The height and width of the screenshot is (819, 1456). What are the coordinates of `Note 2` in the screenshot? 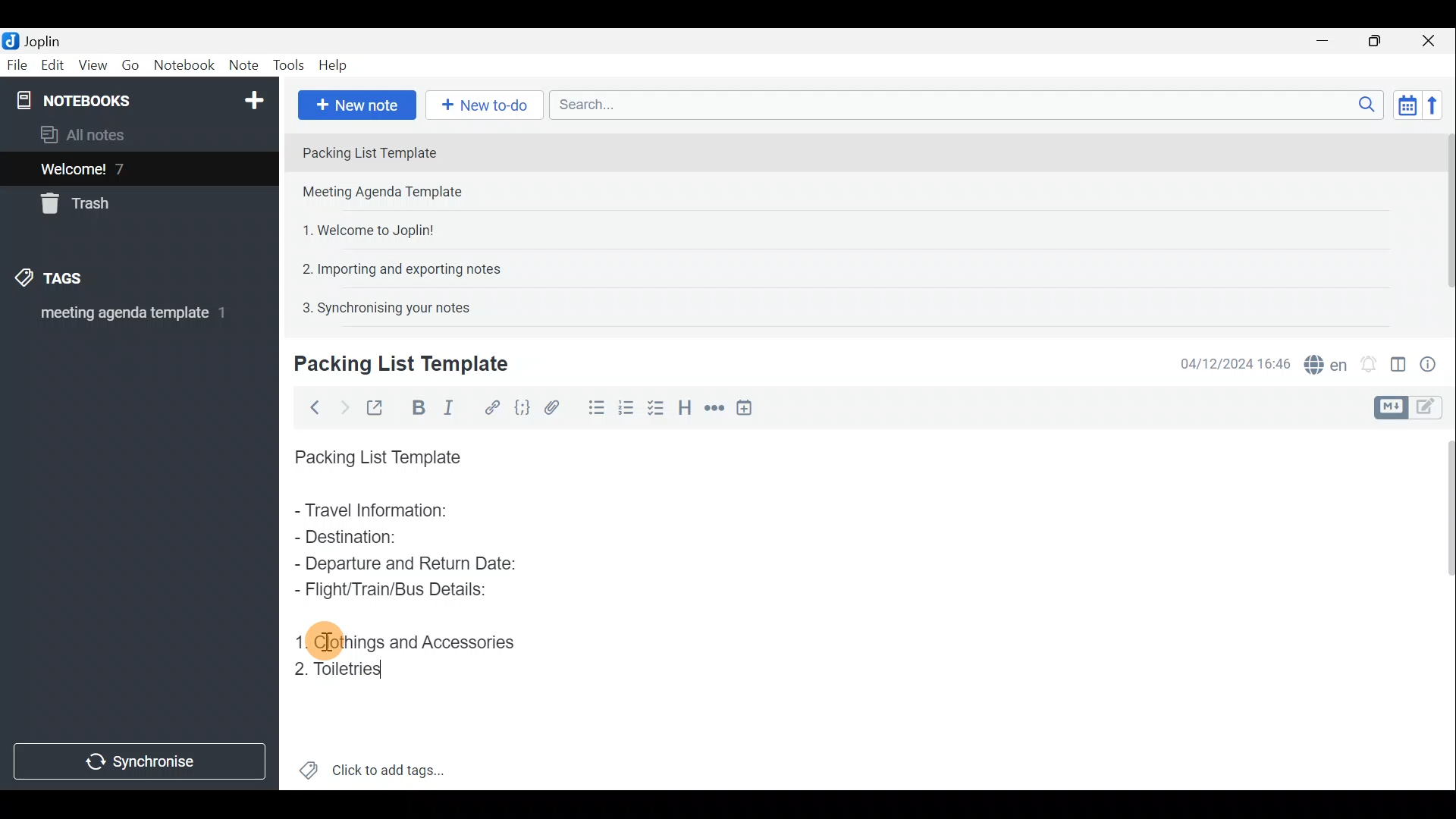 It's located at (397, 193).